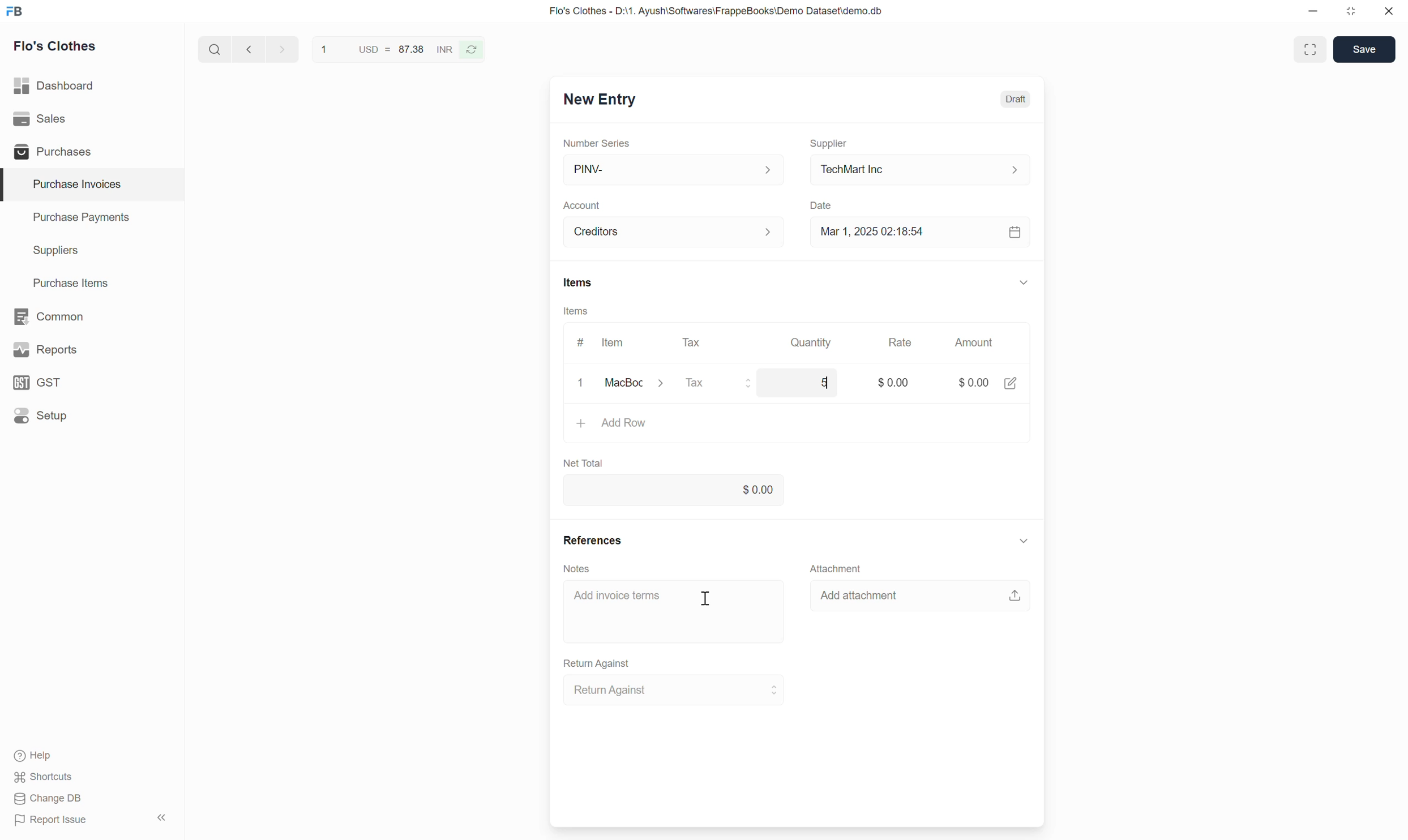 This screenshot has width=1408, height=840. Describe the element at coordinates (674, 489) in the screenshot. I see `0.00` at that location.